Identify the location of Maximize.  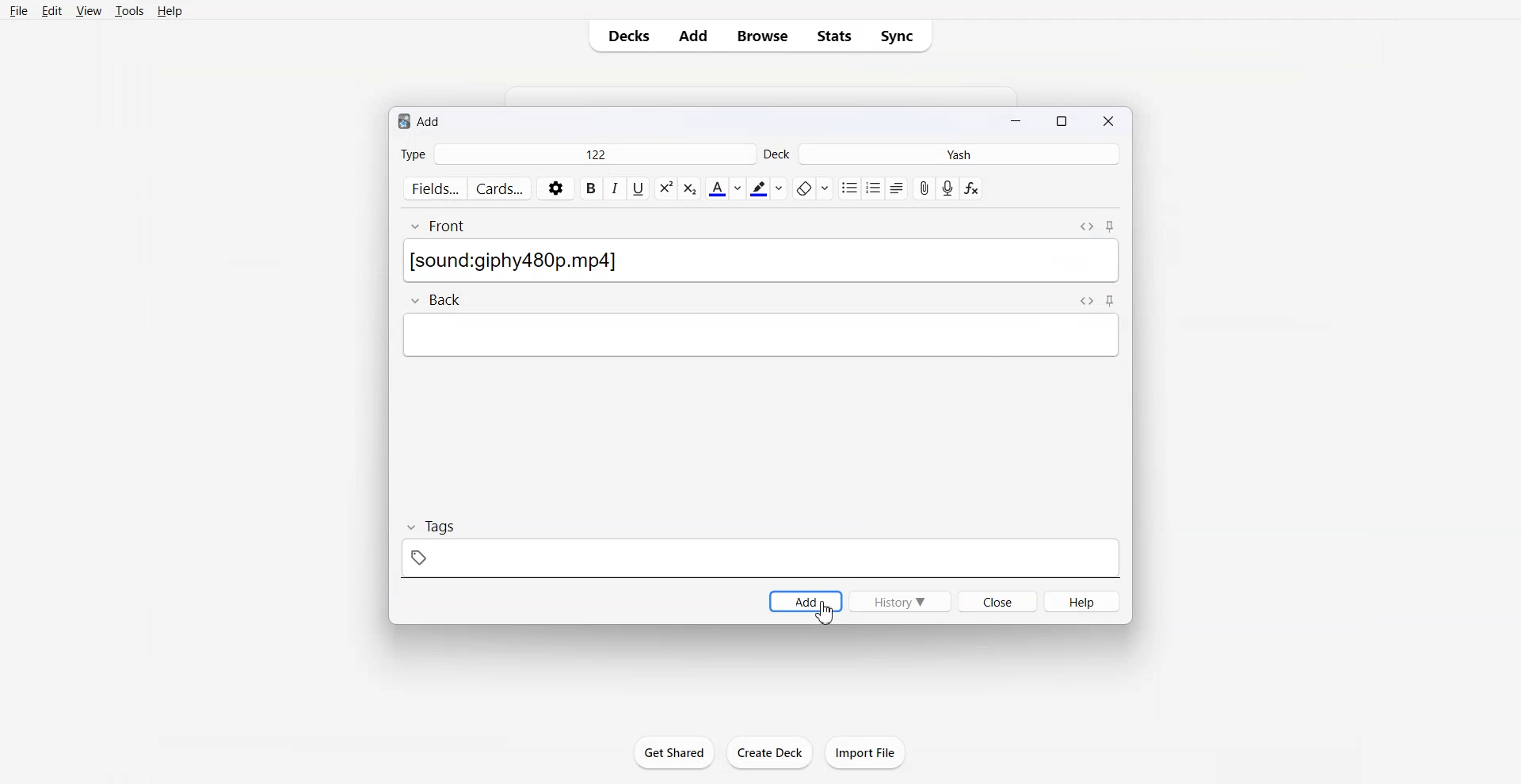
(1058, 121).